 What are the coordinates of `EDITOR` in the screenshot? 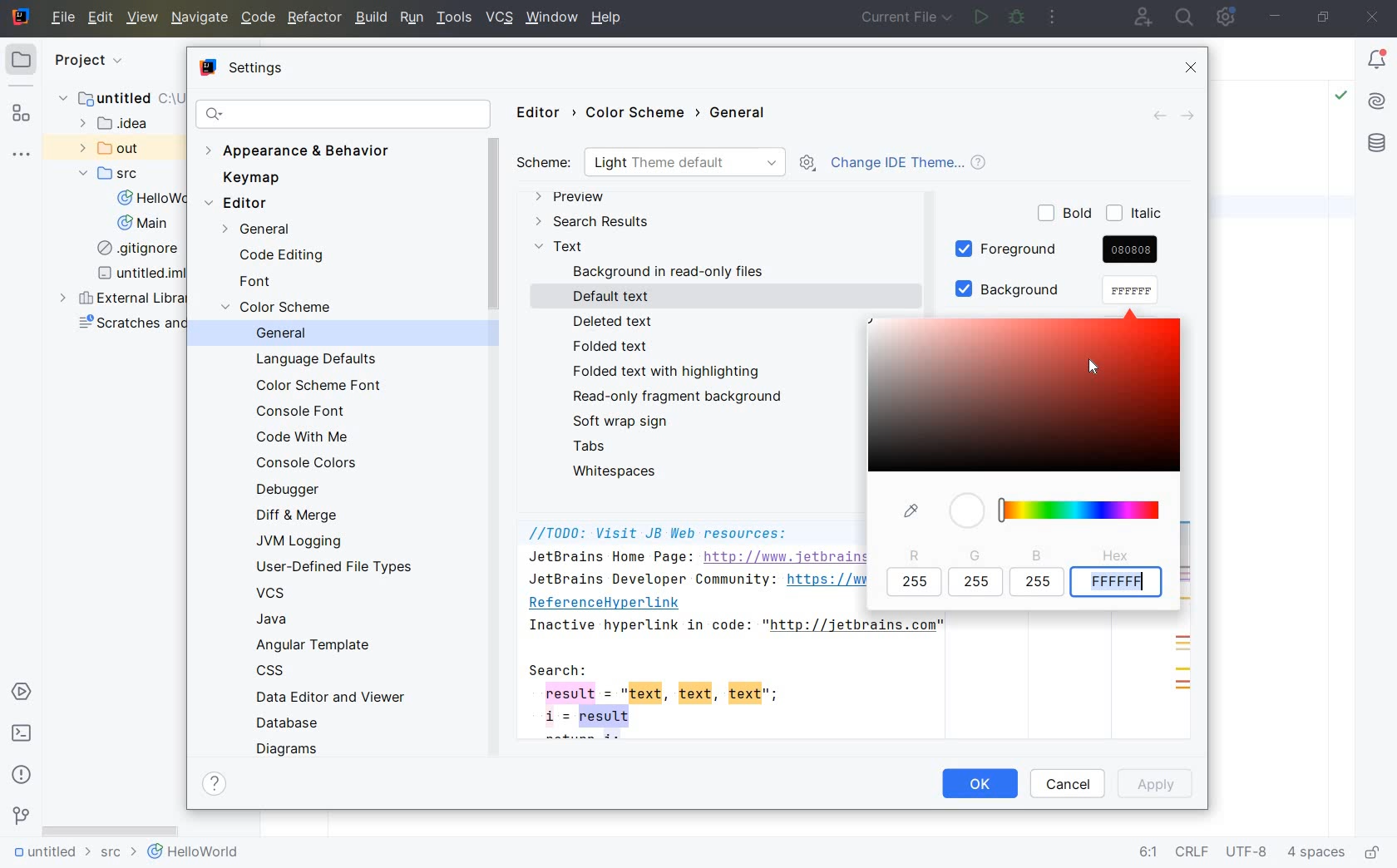 It's located at (544, 113).